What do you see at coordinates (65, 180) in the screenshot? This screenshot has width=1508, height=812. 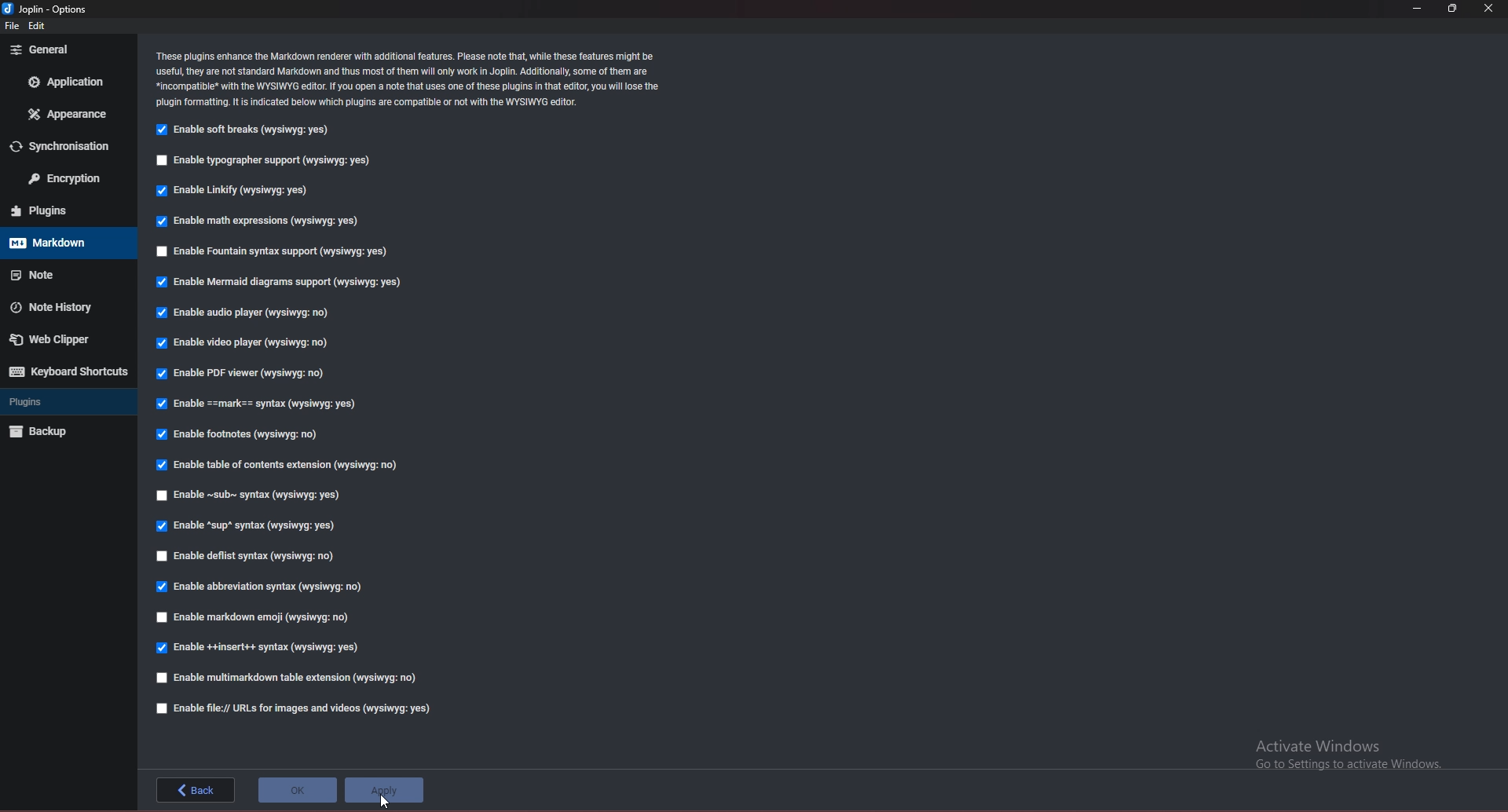 I see `encryption` at bounding box center [65, 180].